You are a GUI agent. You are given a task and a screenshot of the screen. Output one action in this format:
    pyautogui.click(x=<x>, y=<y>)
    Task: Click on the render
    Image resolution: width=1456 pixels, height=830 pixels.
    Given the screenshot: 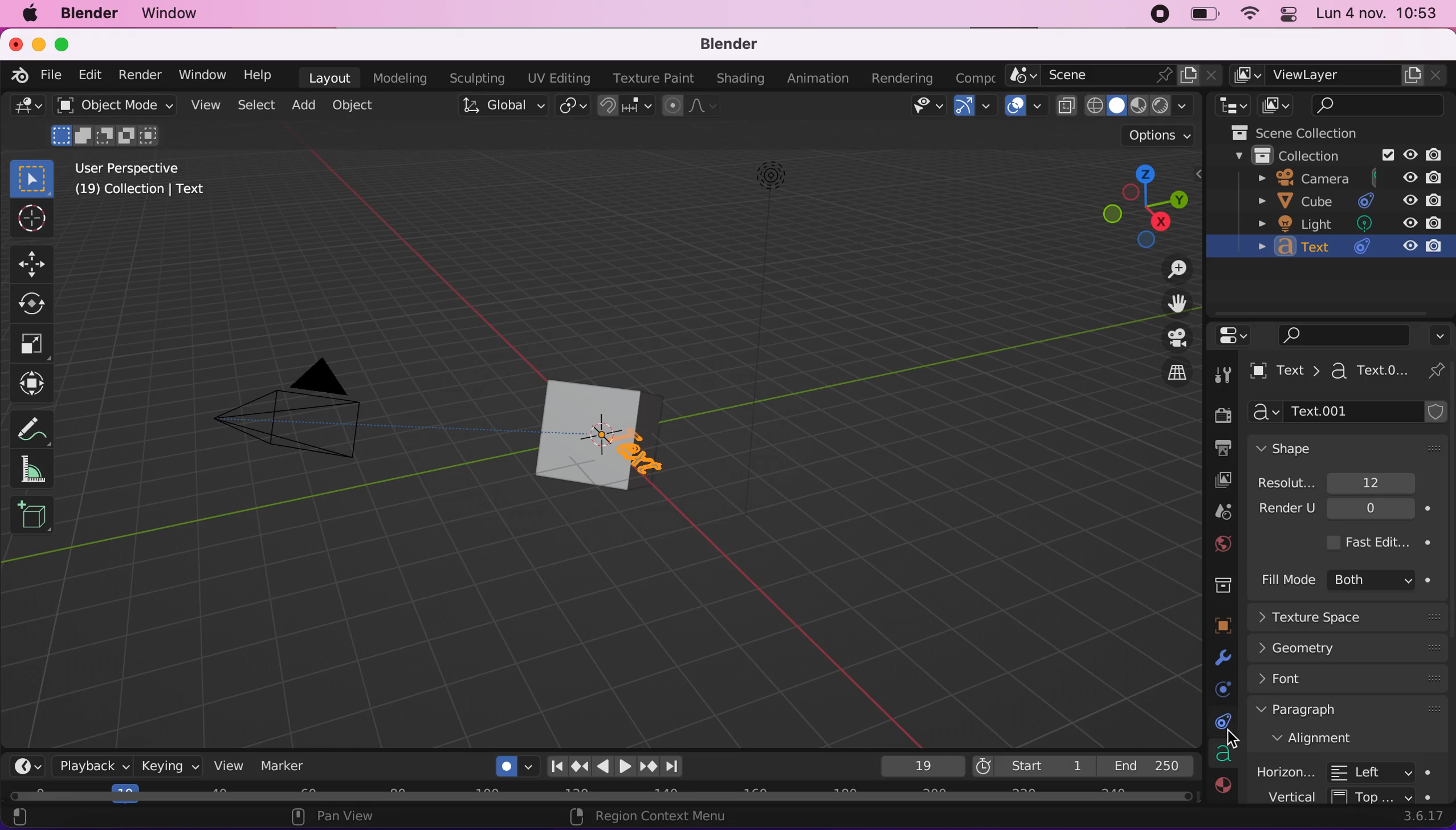 What is the action you would take?
    pyautogui.click(x=1218, y=410)
    